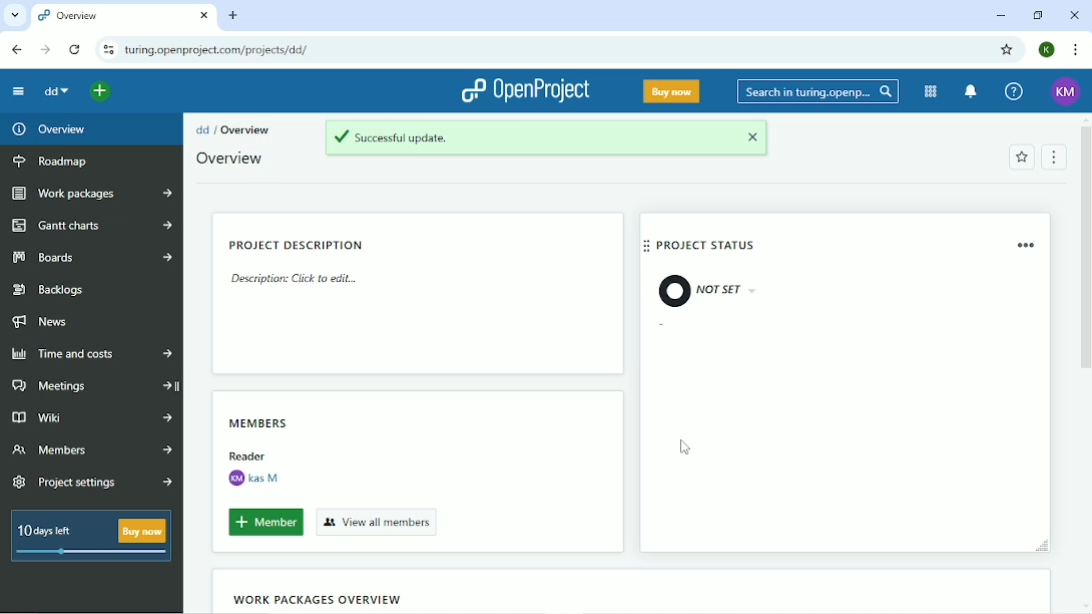 The width and height of the screenshot is (1092, 614). Describe the element at coordinates (94, 385) in the screenshot. I see `Meetings` at that location.